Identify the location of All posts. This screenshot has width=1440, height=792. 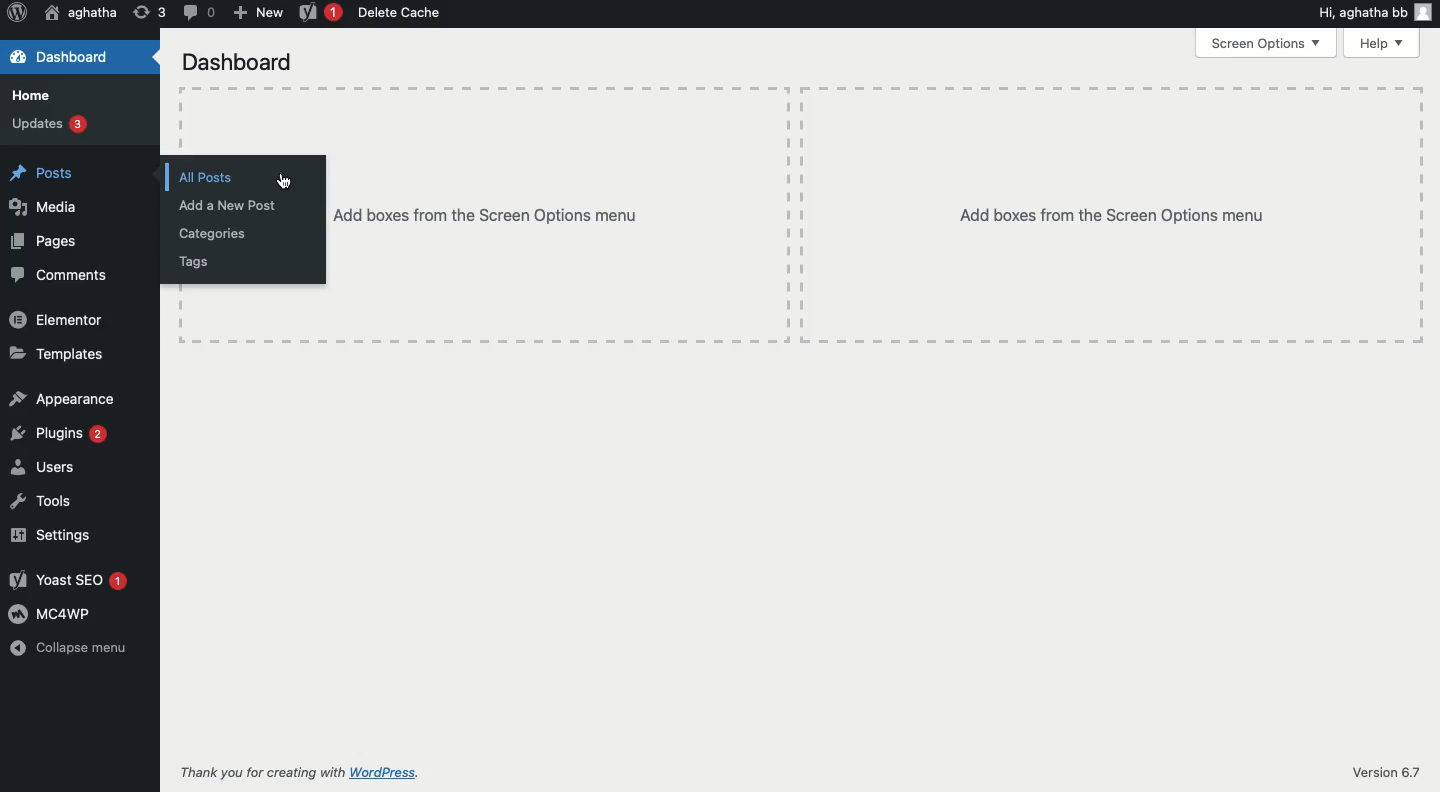
(198, 177).